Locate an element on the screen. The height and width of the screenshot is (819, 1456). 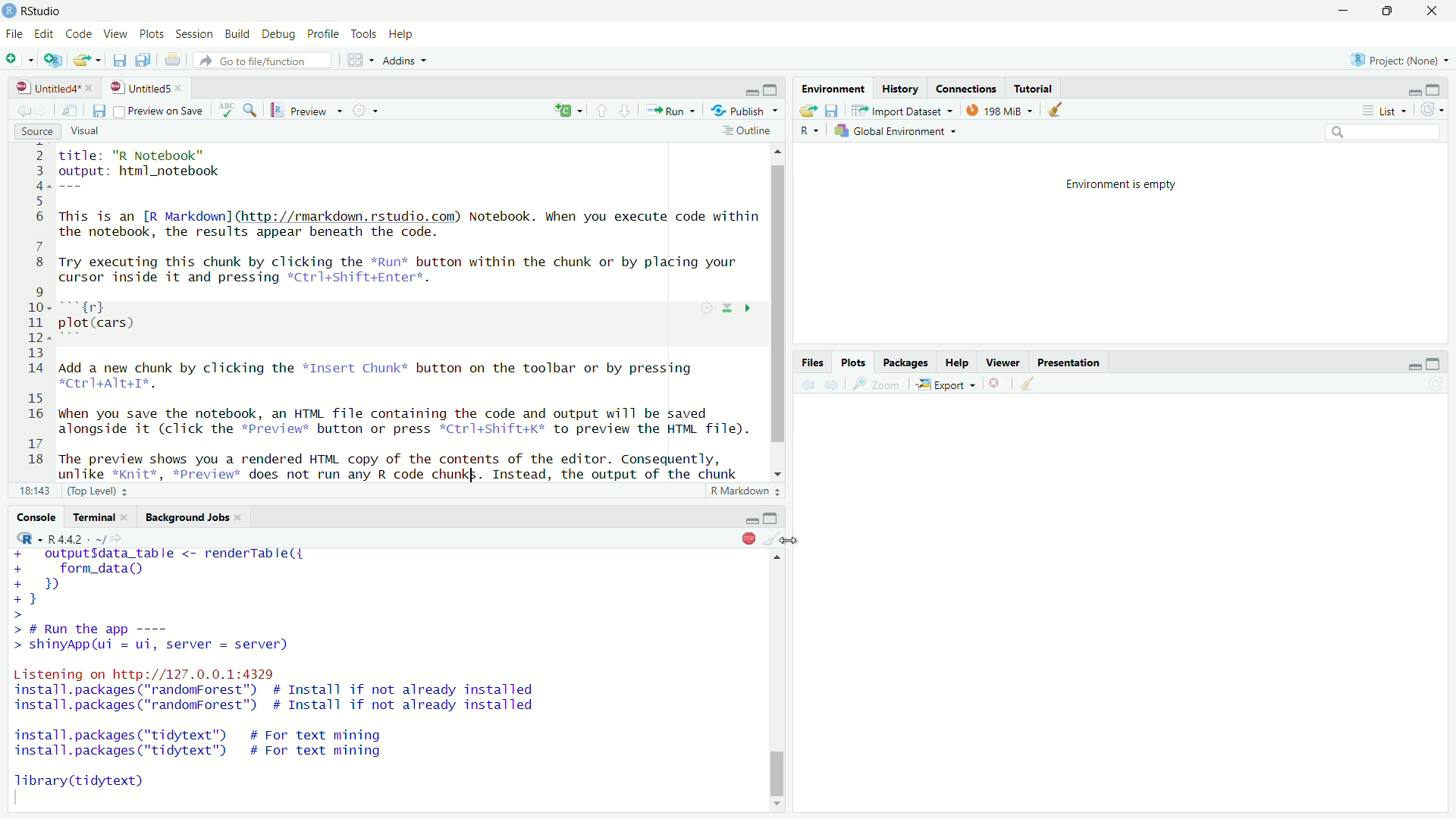
Toys is located at coordinates (363, 35).